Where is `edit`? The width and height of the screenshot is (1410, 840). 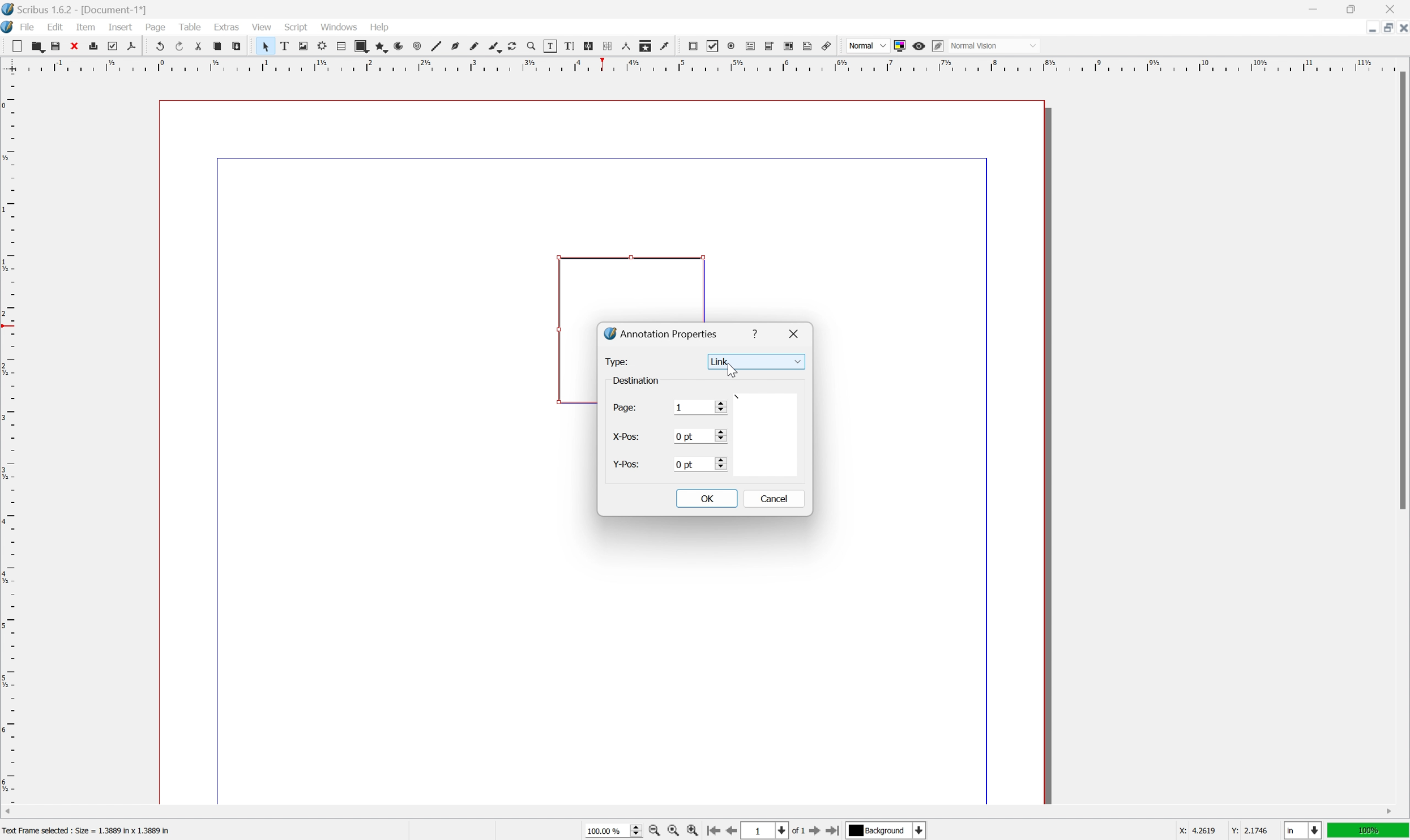
edit is located at coordinates (55, 27).